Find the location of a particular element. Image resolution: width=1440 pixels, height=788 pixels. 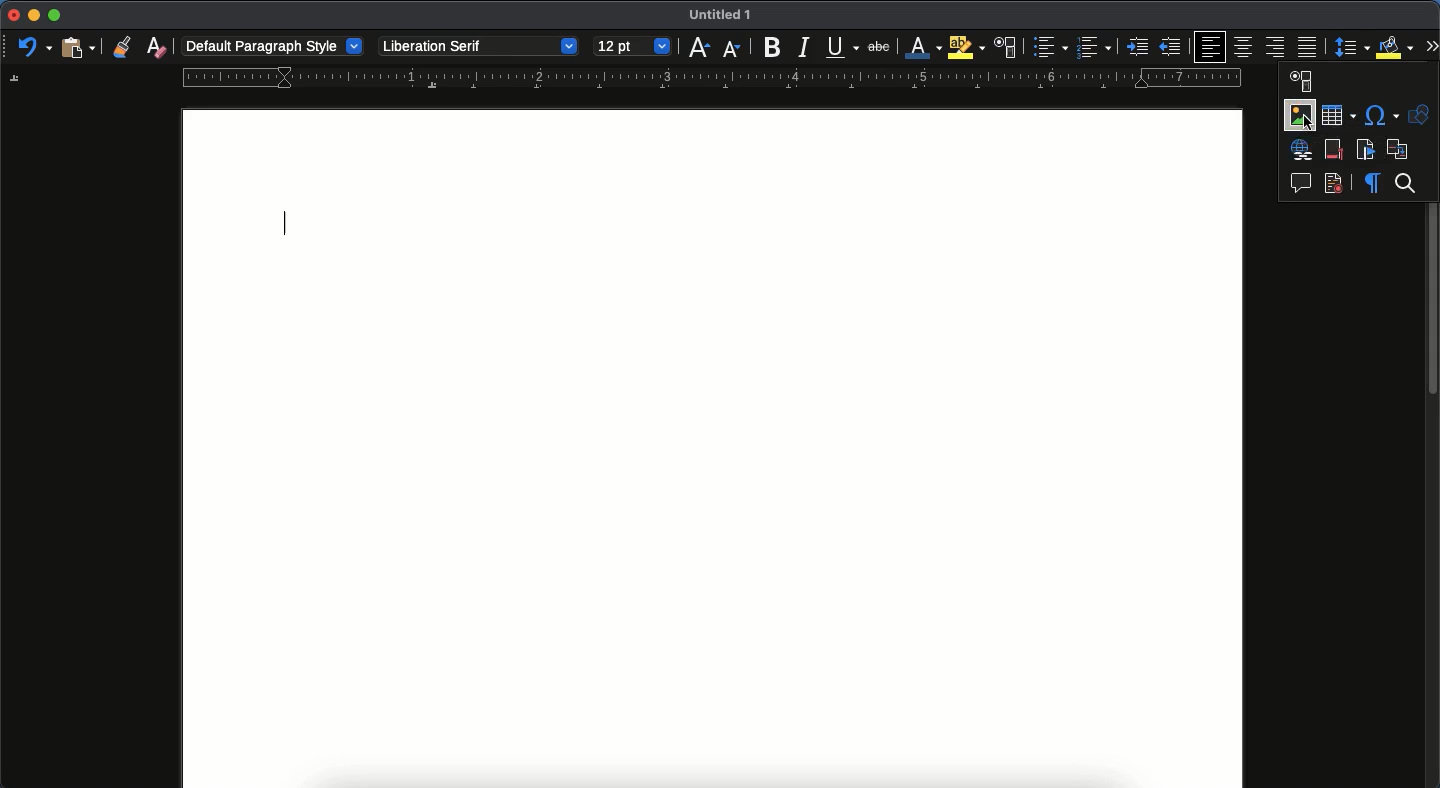

fill color  is located at coordinates (1395, 46).